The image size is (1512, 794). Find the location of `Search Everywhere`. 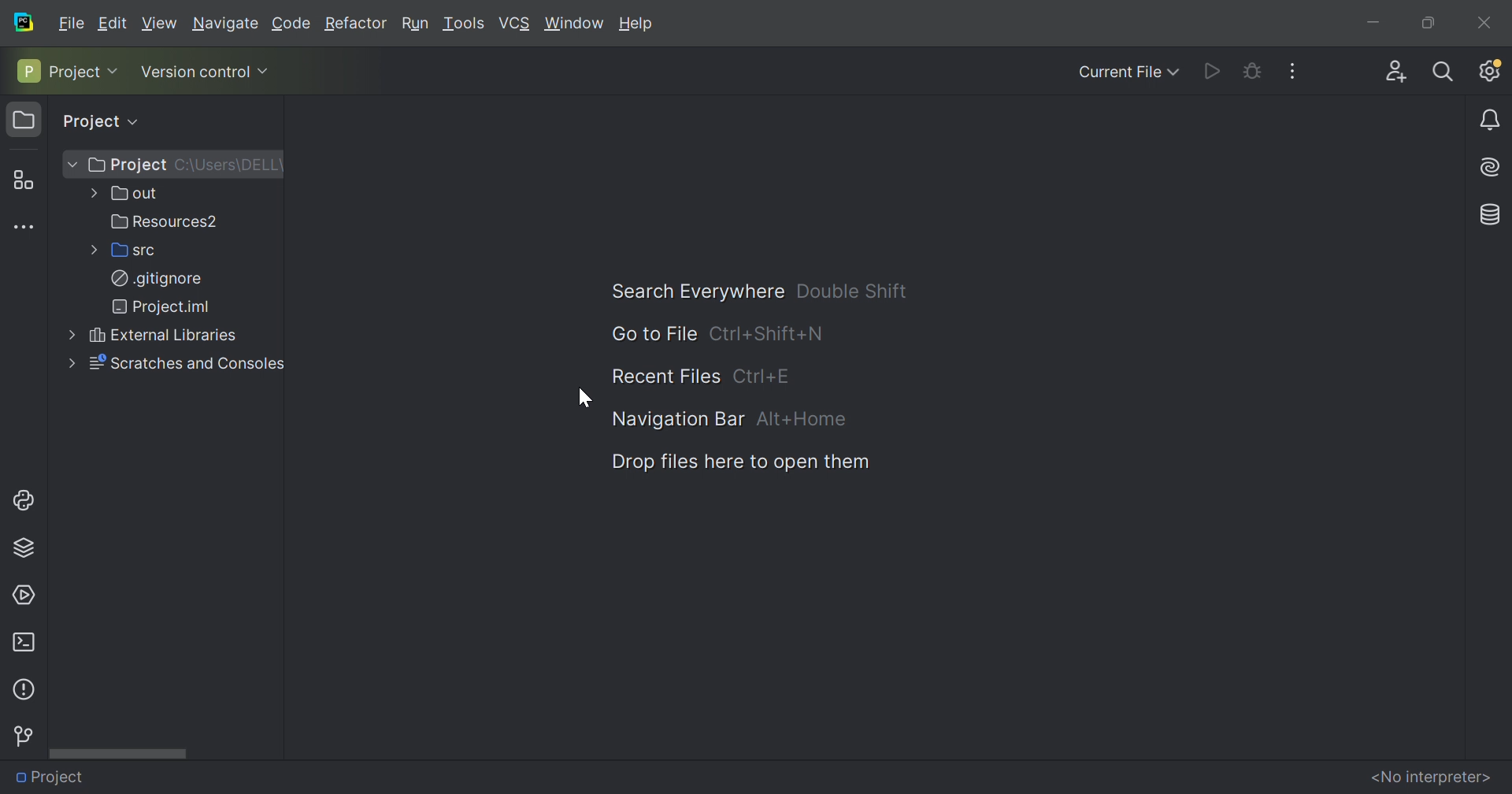

Search Everywhere is located at coordinates (1443, 70).